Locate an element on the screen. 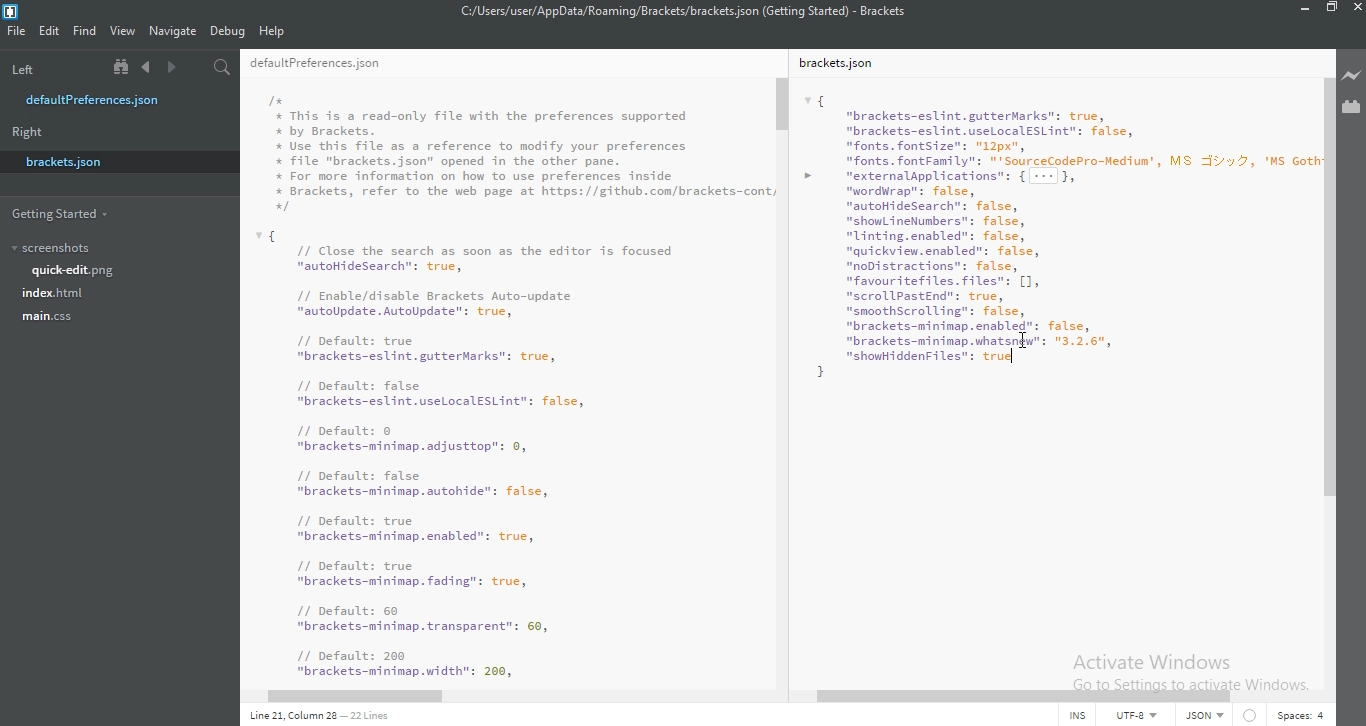  Extension Manager is located at coordinates (1351, 106).